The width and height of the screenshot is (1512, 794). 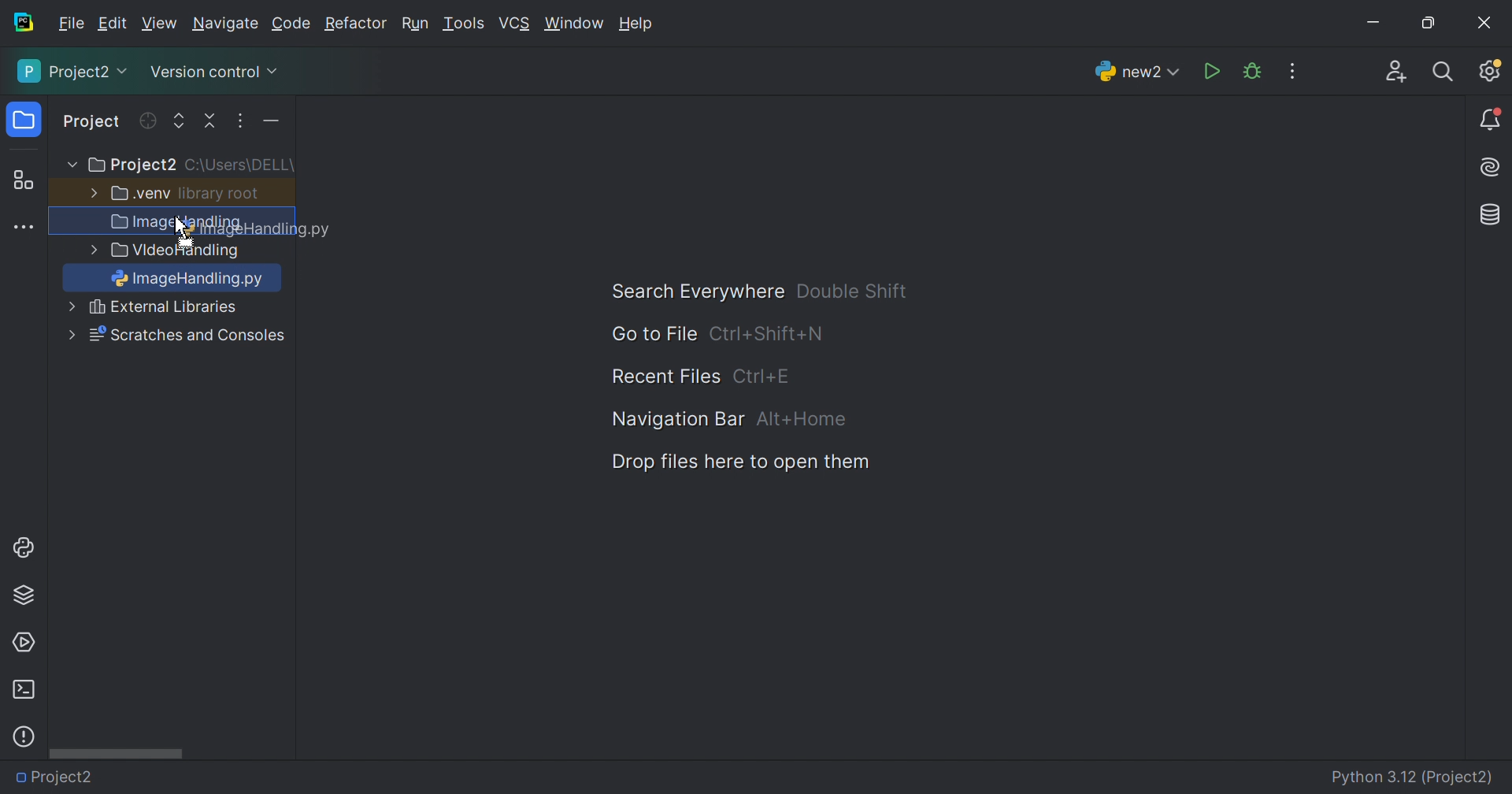 I want to click on Database, so click(x=1492, y=216).